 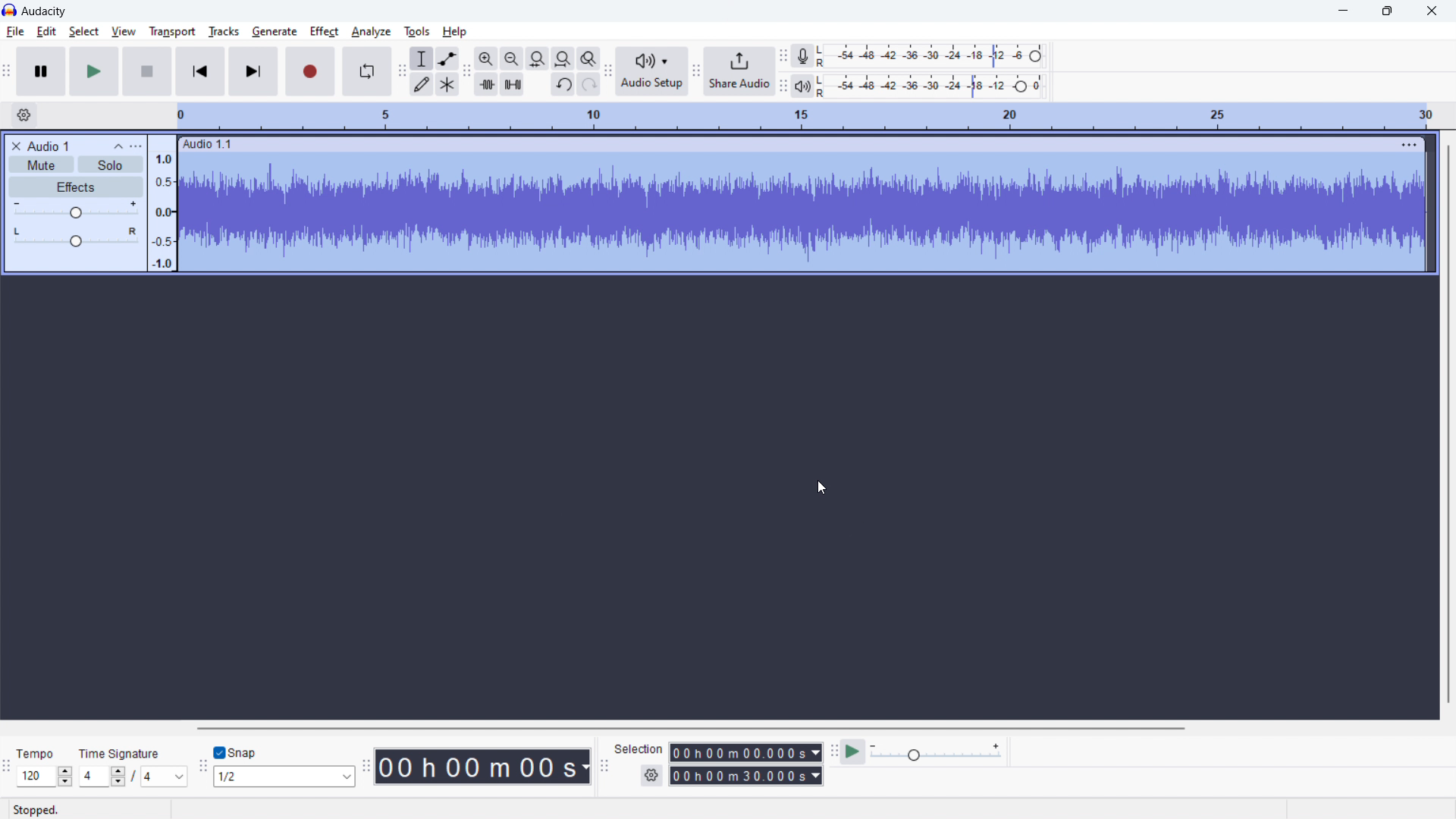 What do you see at coordinates (1342, 11) in the screenshot?
I see `minimize` at bounding box center [1342, 11].